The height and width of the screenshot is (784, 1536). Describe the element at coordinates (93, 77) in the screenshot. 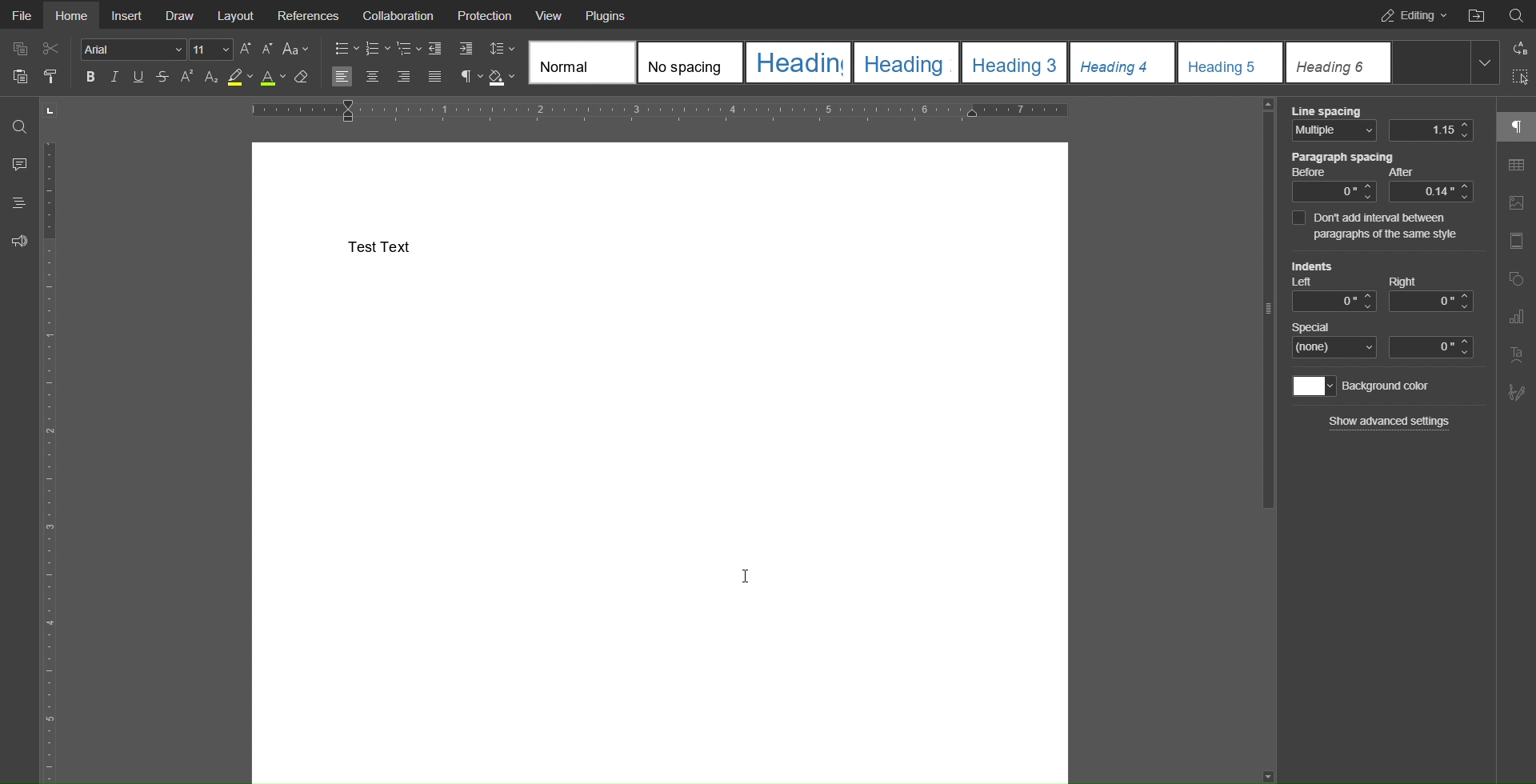

I see `Bold` at that location.